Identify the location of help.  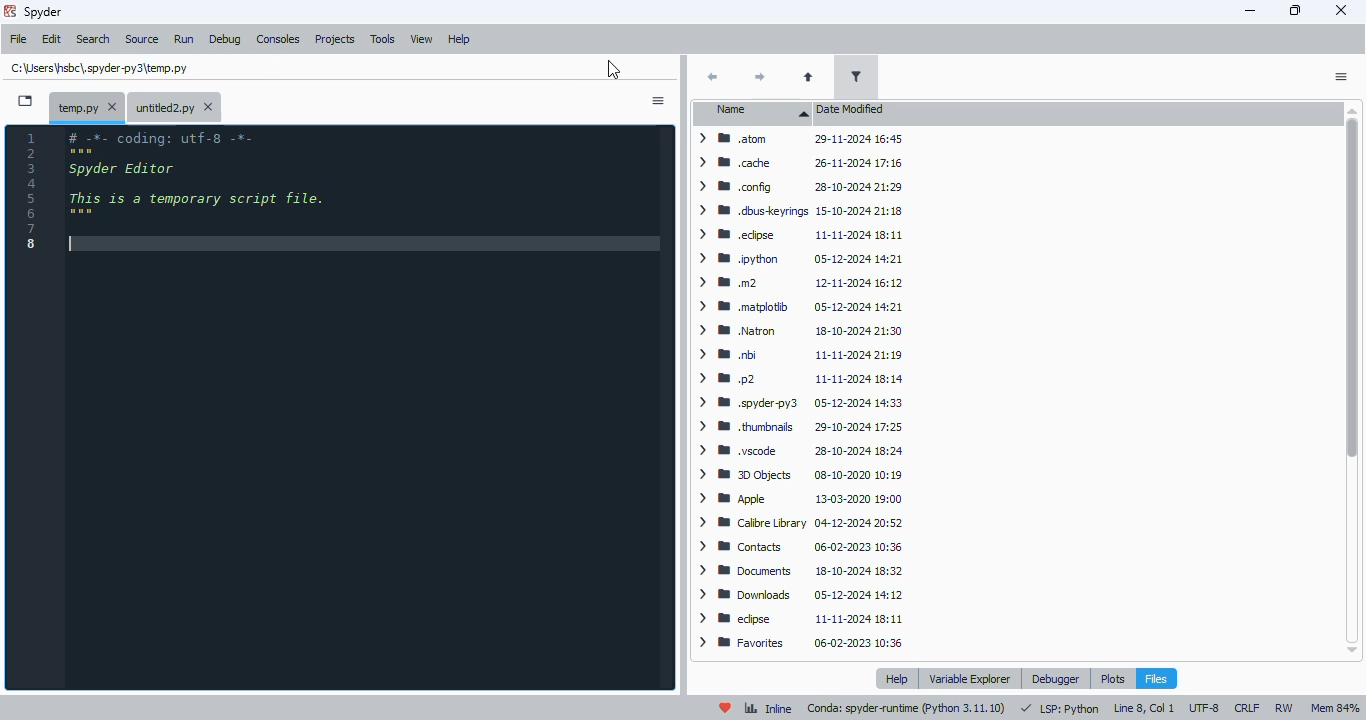
(458, 39).